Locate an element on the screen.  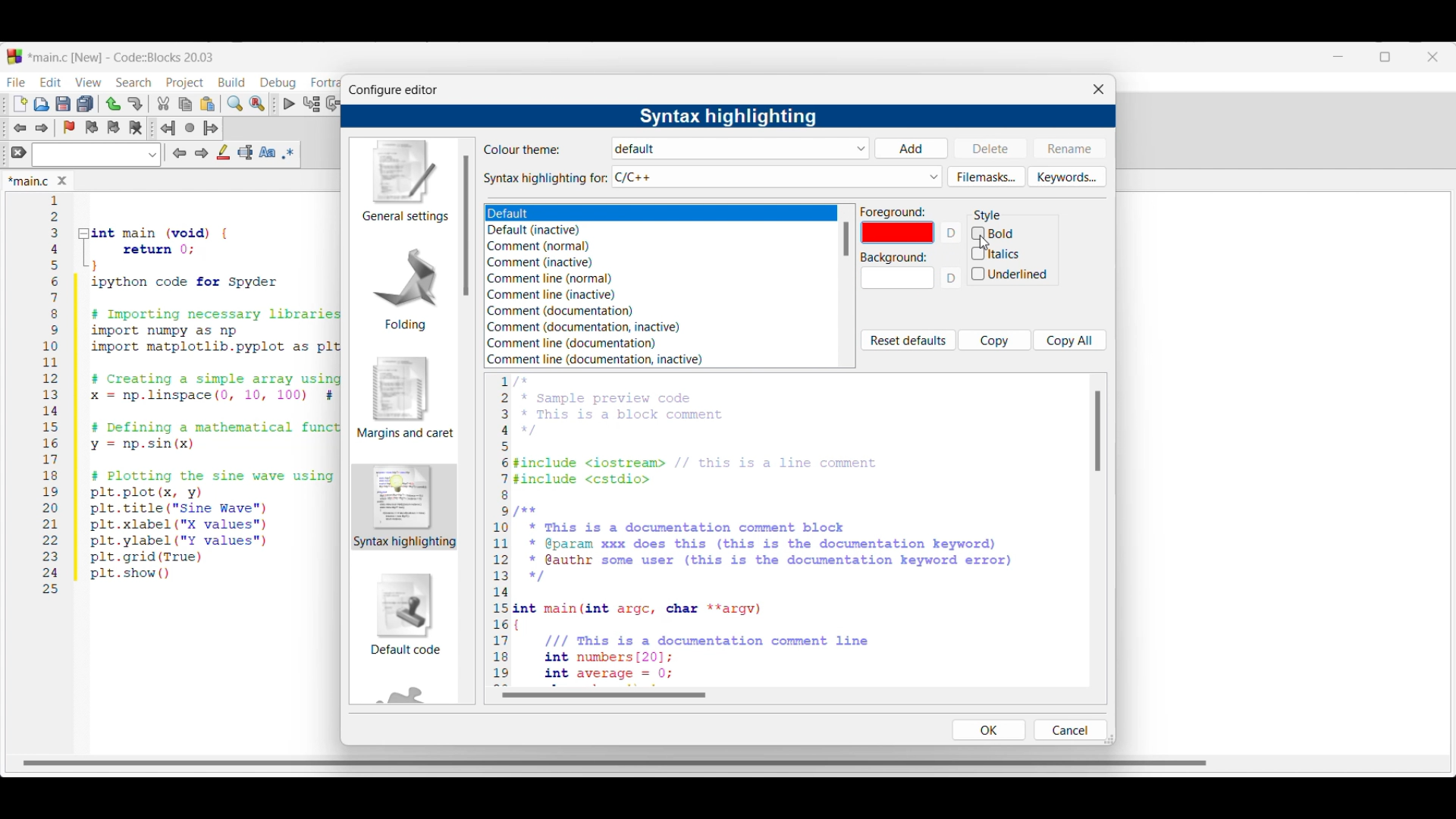
Indicates background color options is located at coordinates (893, 258).